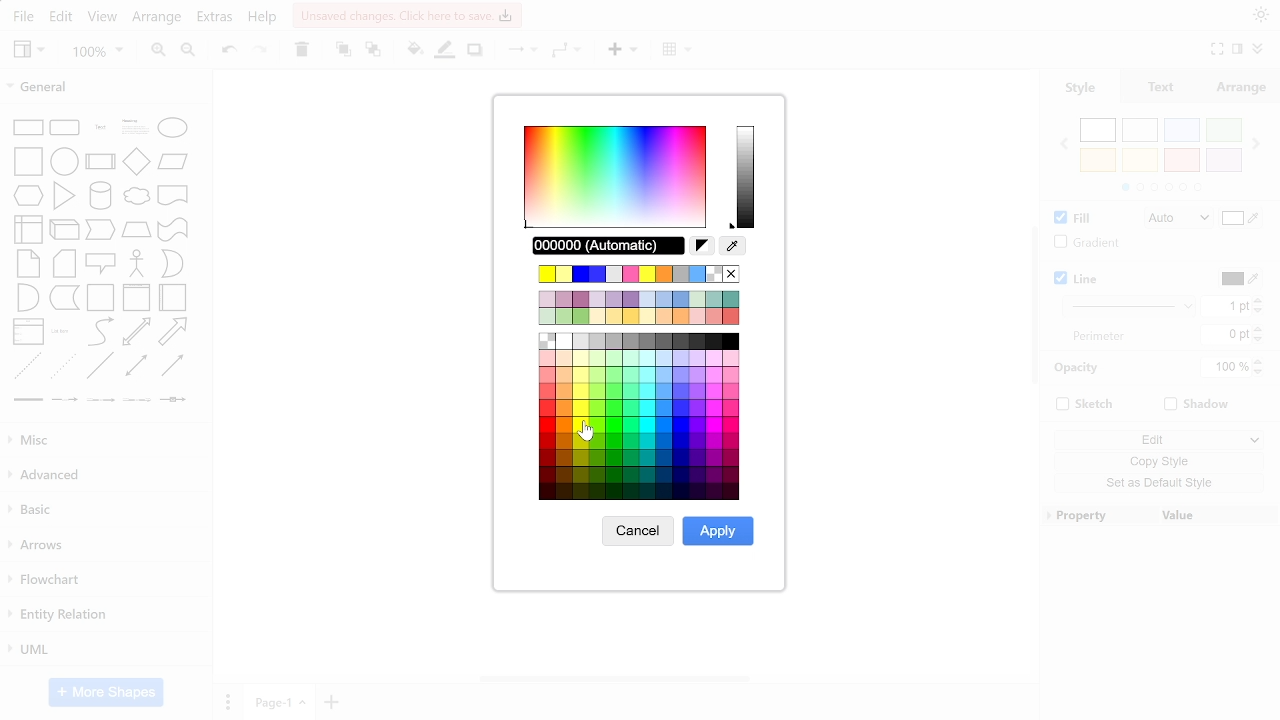 This screenshot has width=1280, height=720. Describe the element at coordinates (638, 532) in the screenshot. I see `cancel` at that location.